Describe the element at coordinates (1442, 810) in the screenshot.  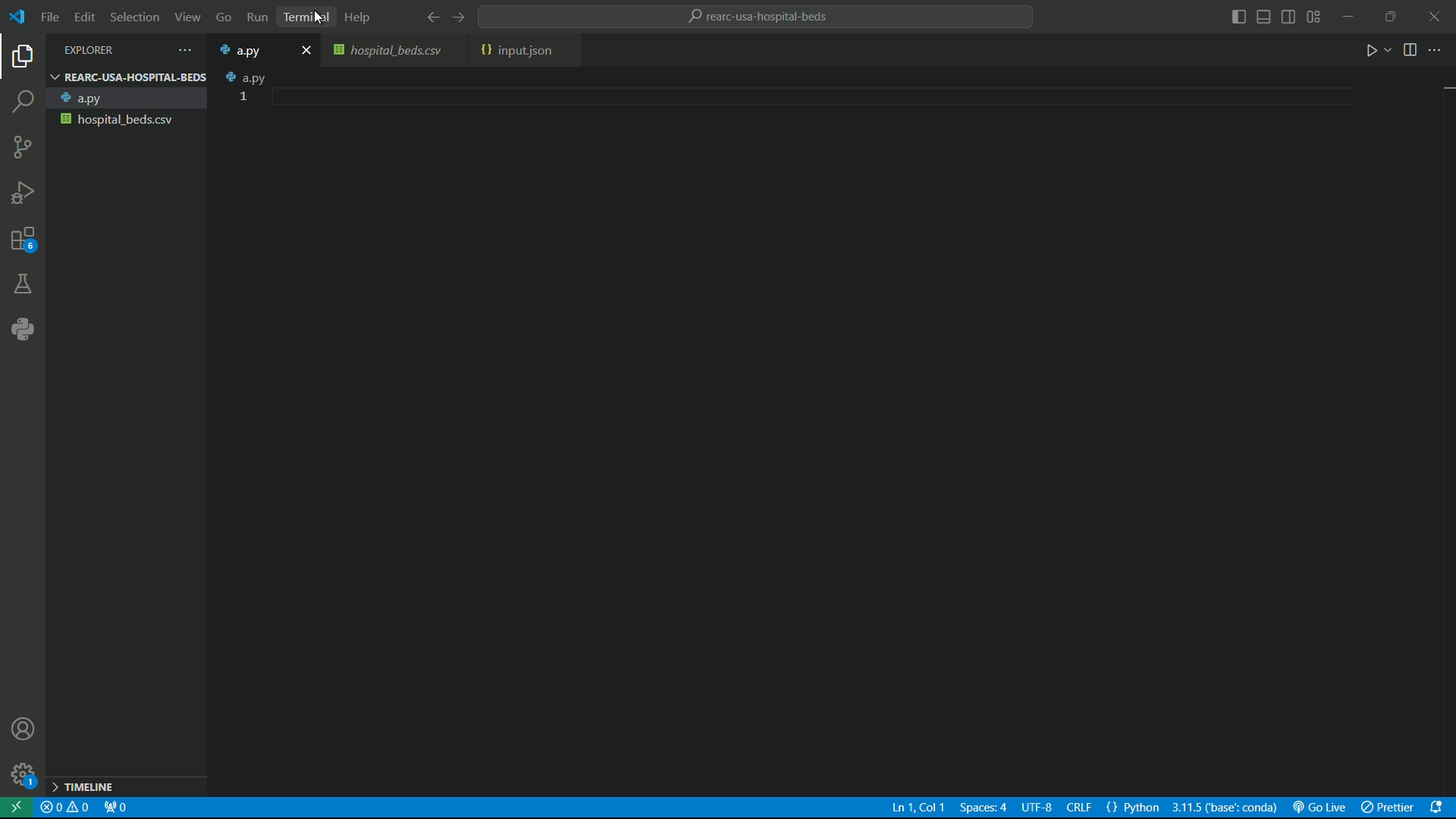
I see `notification` at that location.